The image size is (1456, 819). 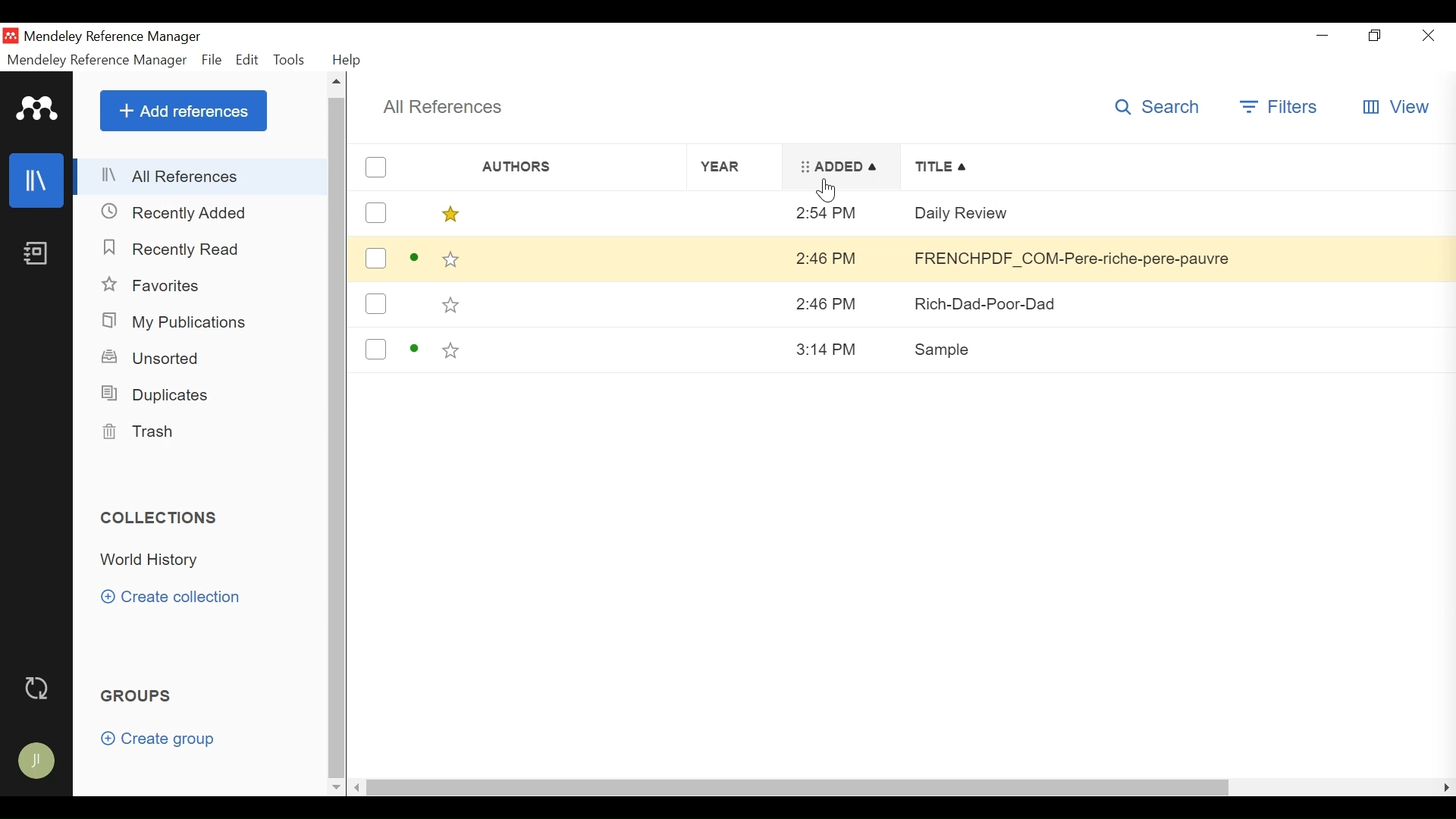 I want to click on Collections, so click(x=160, y=517).